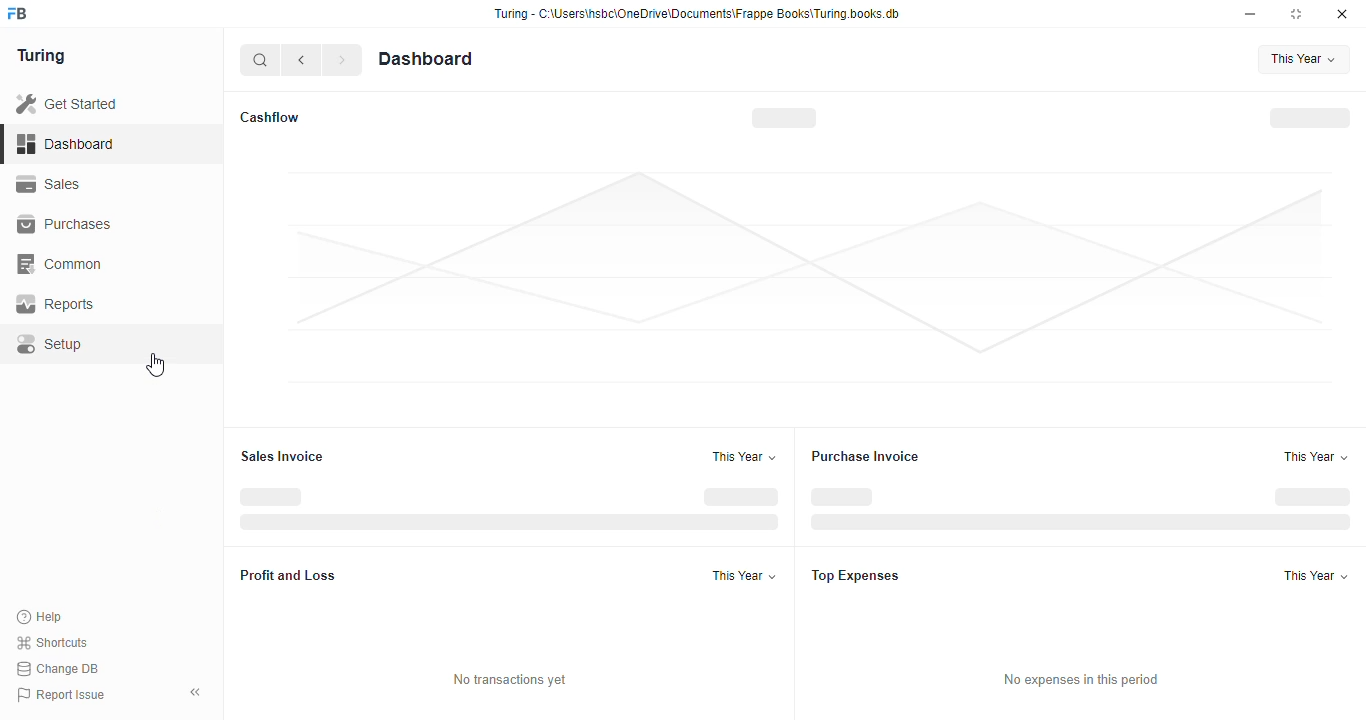  What do you see at coordinates (342, 60) in the screenshot?
I see `forward` at bounding box center [342, 60].